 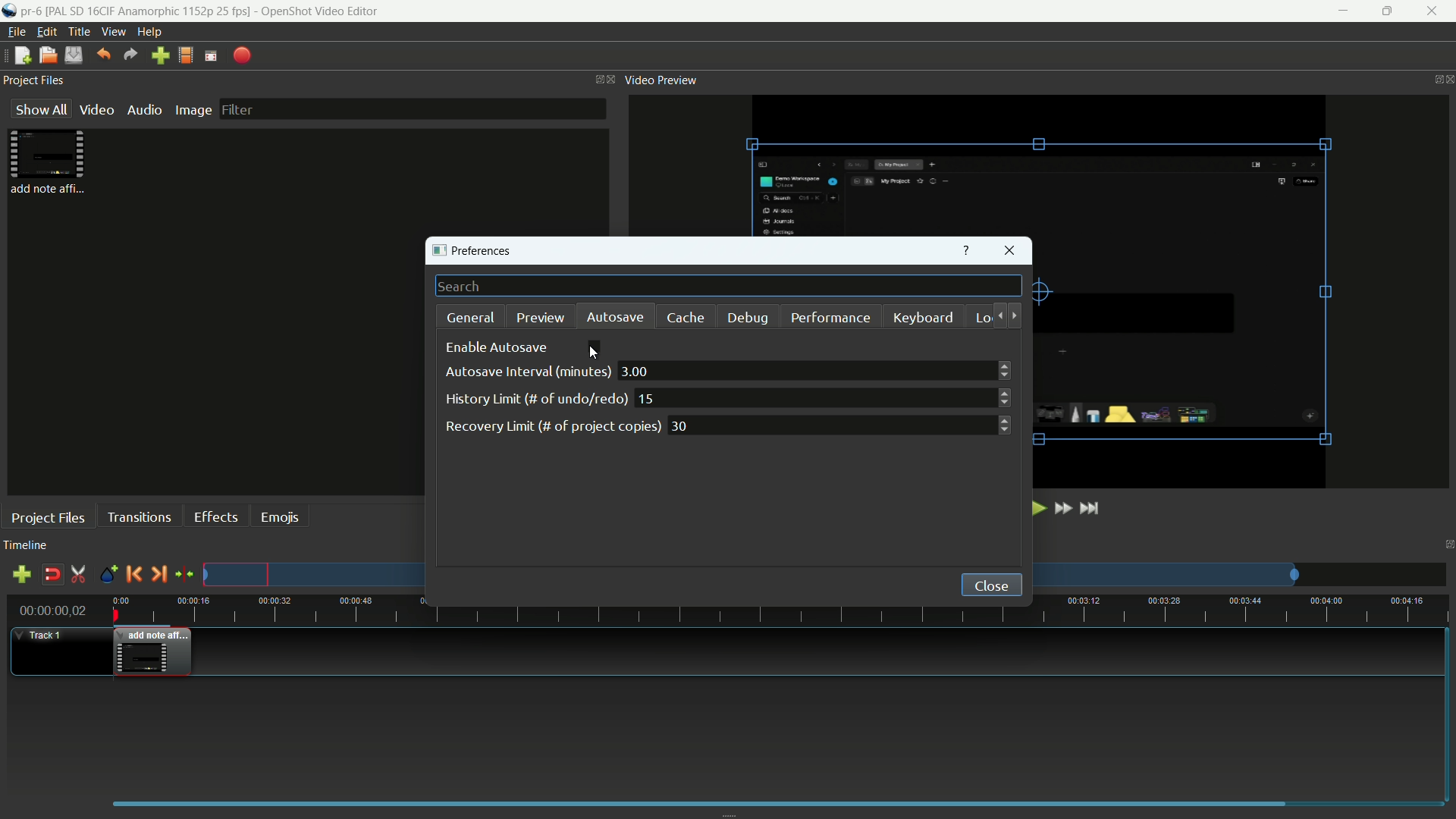 What do you see at coordinates (131, 55) in the screenshot?
I see `redo` at bounding box center [131, 55].